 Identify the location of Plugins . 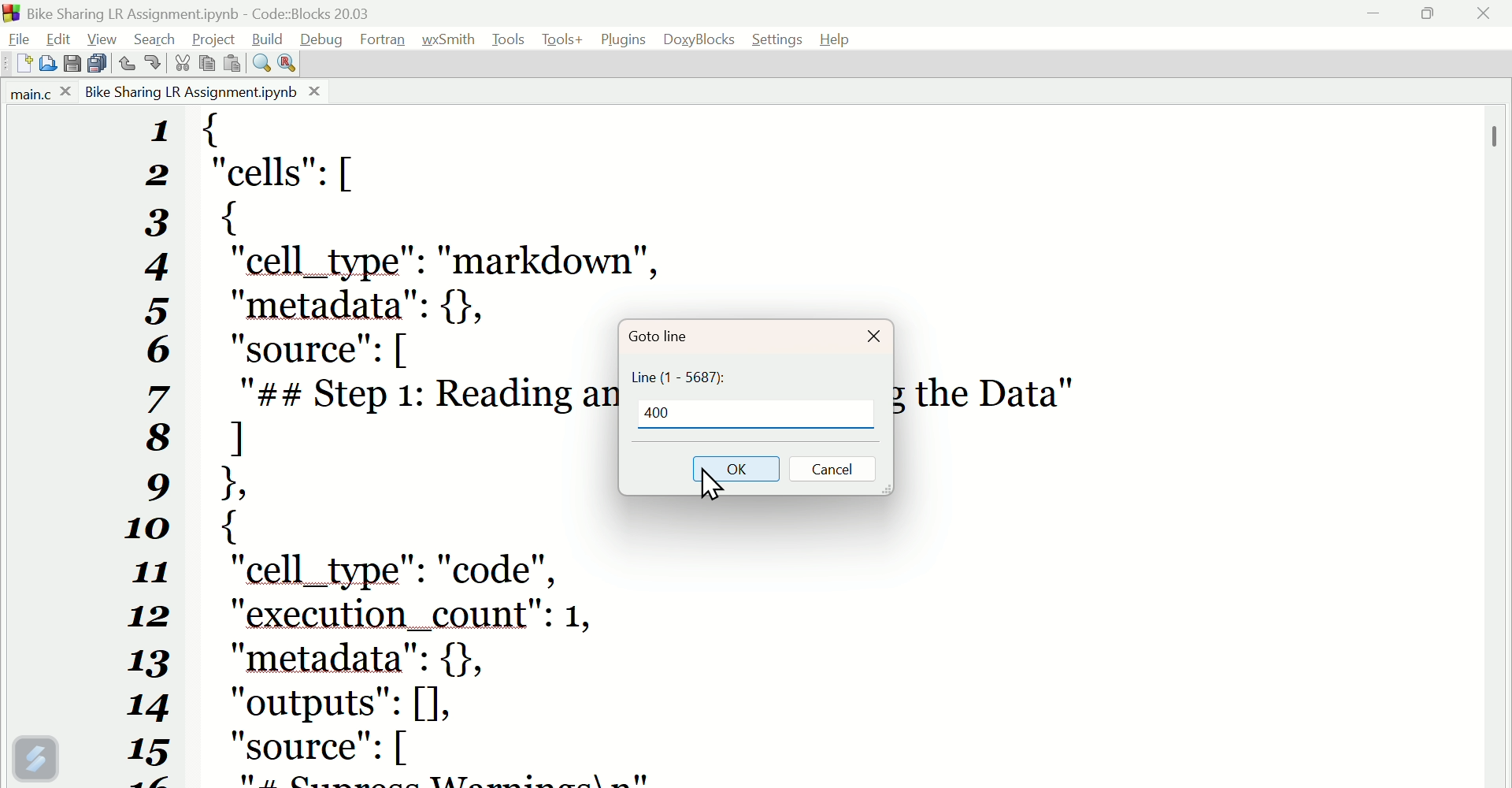
(622, 39).